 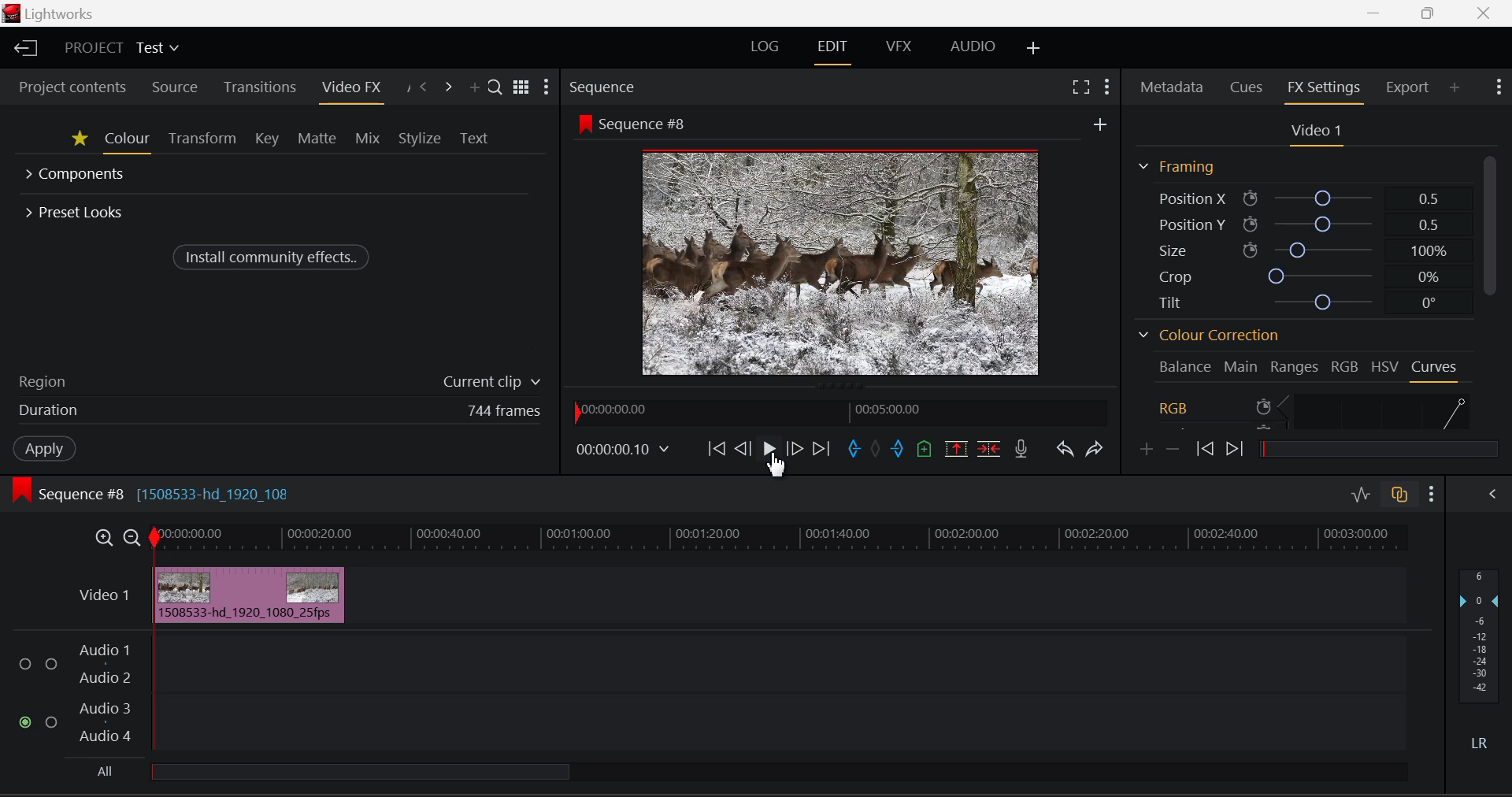 I want to click on Transitions, so click(x=259, y=87).